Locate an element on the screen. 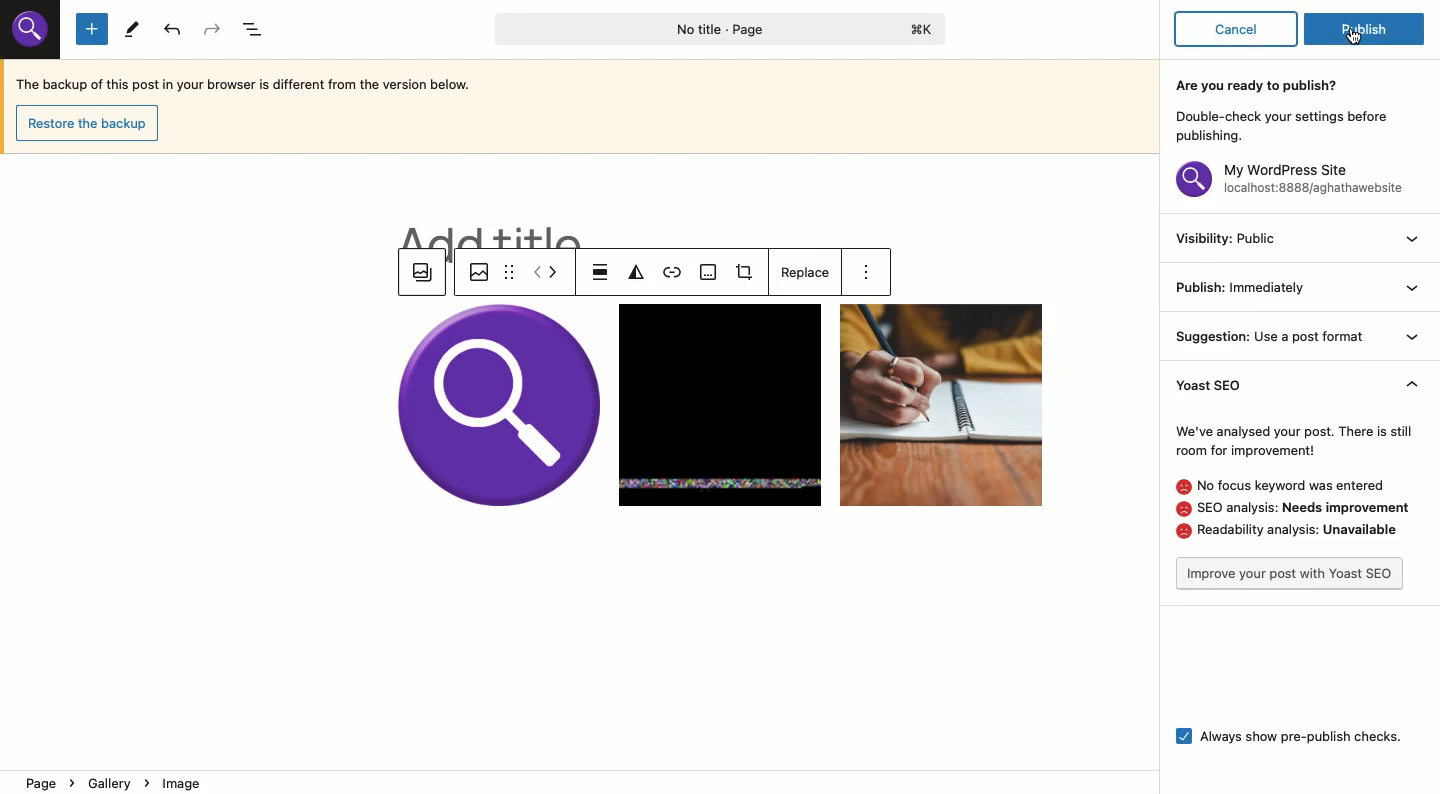 Image resolution: width=1440 pixels, height=794 pixels. Image is located at coordinates (475, 271).